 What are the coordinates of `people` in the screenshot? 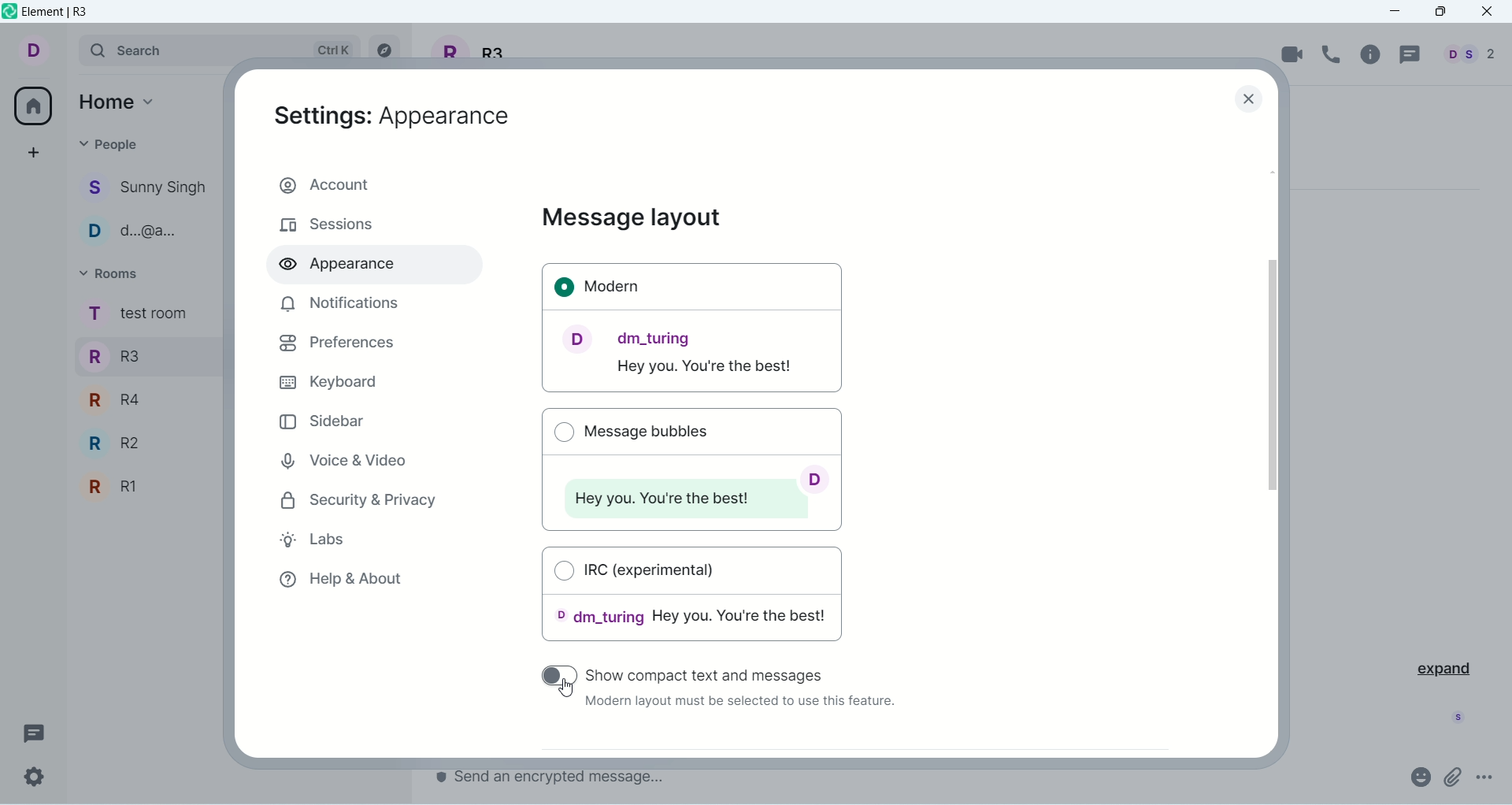 It's located at (1466, 54).